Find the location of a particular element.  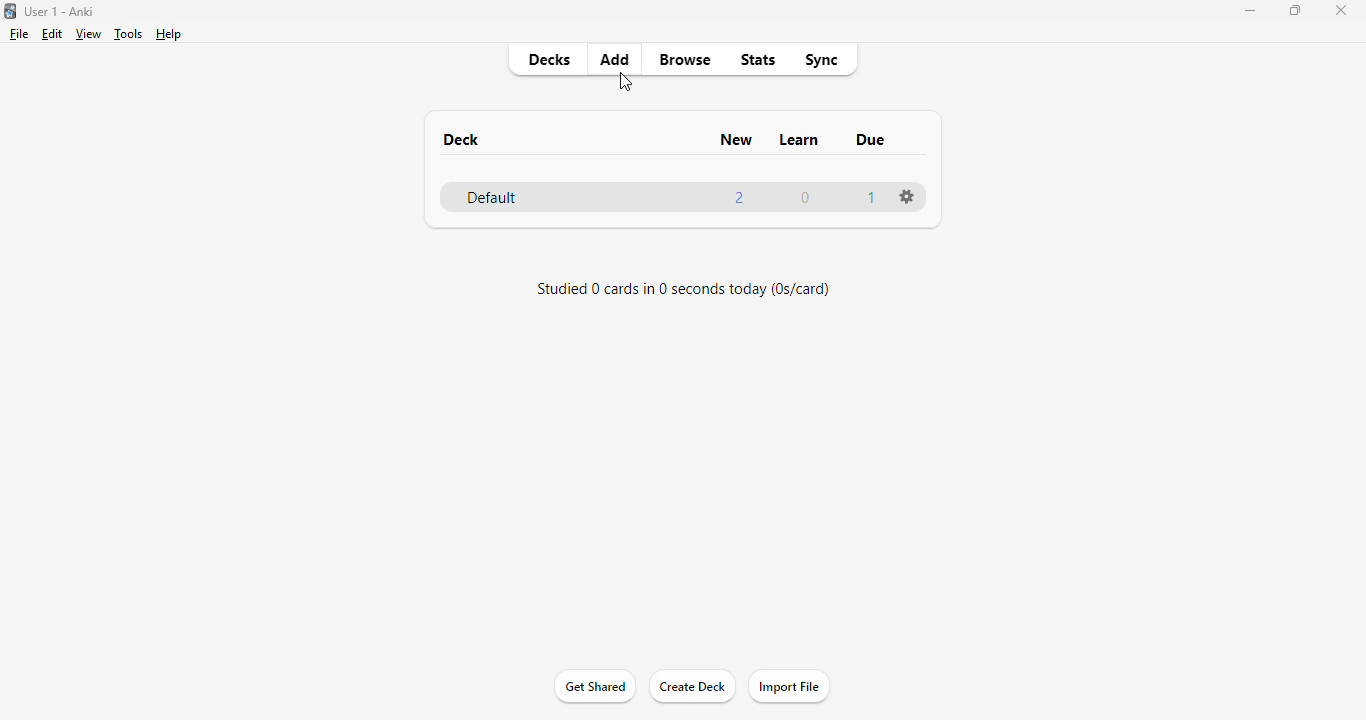

decks is located at coordinates (549, 59).